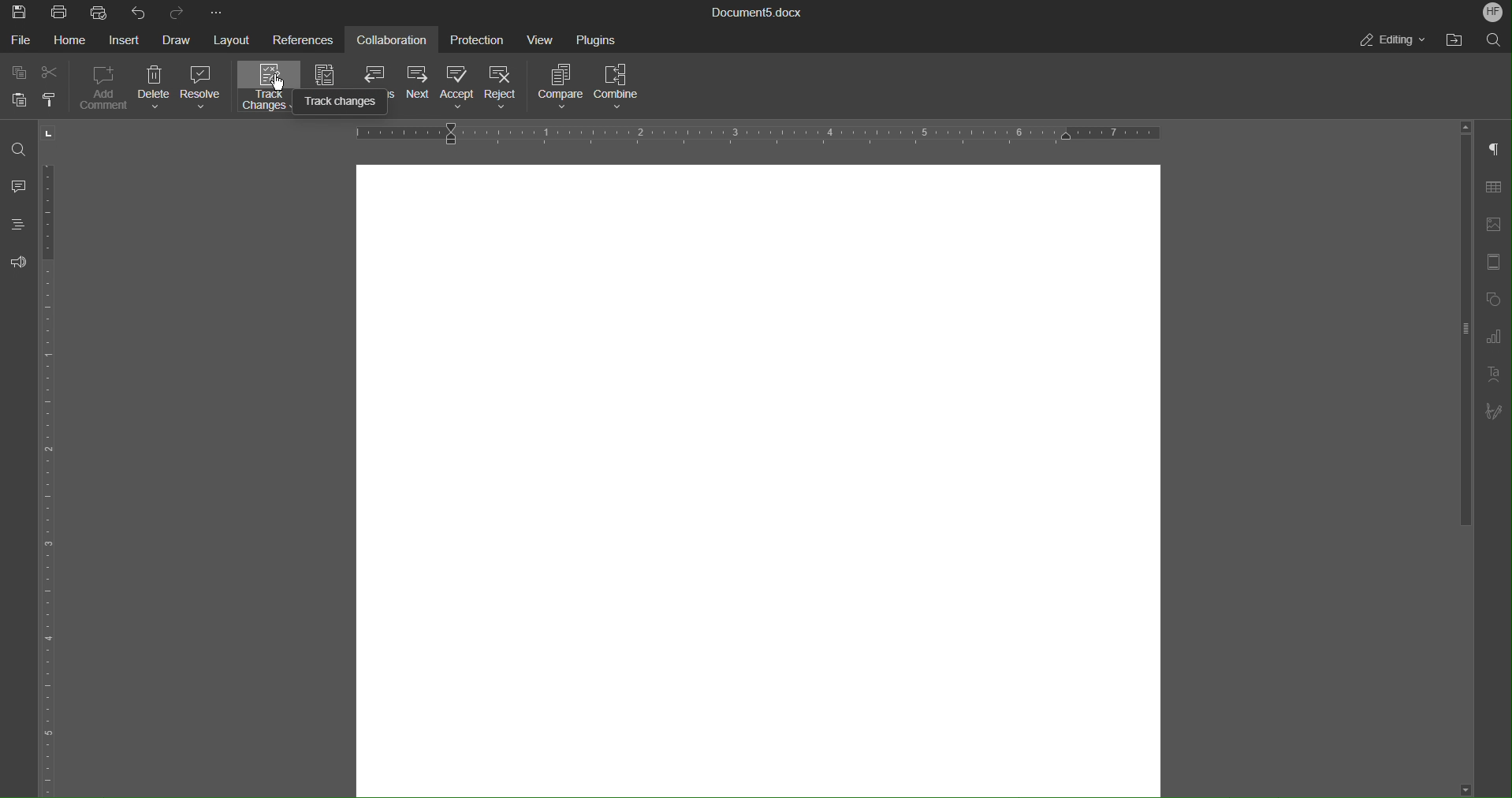 Image resolution: width=1512 pixels, height=798 pixels. What do you see at coordinates (545, 43) in the screenshot?
I see `View` at bounding box center [545, 43].